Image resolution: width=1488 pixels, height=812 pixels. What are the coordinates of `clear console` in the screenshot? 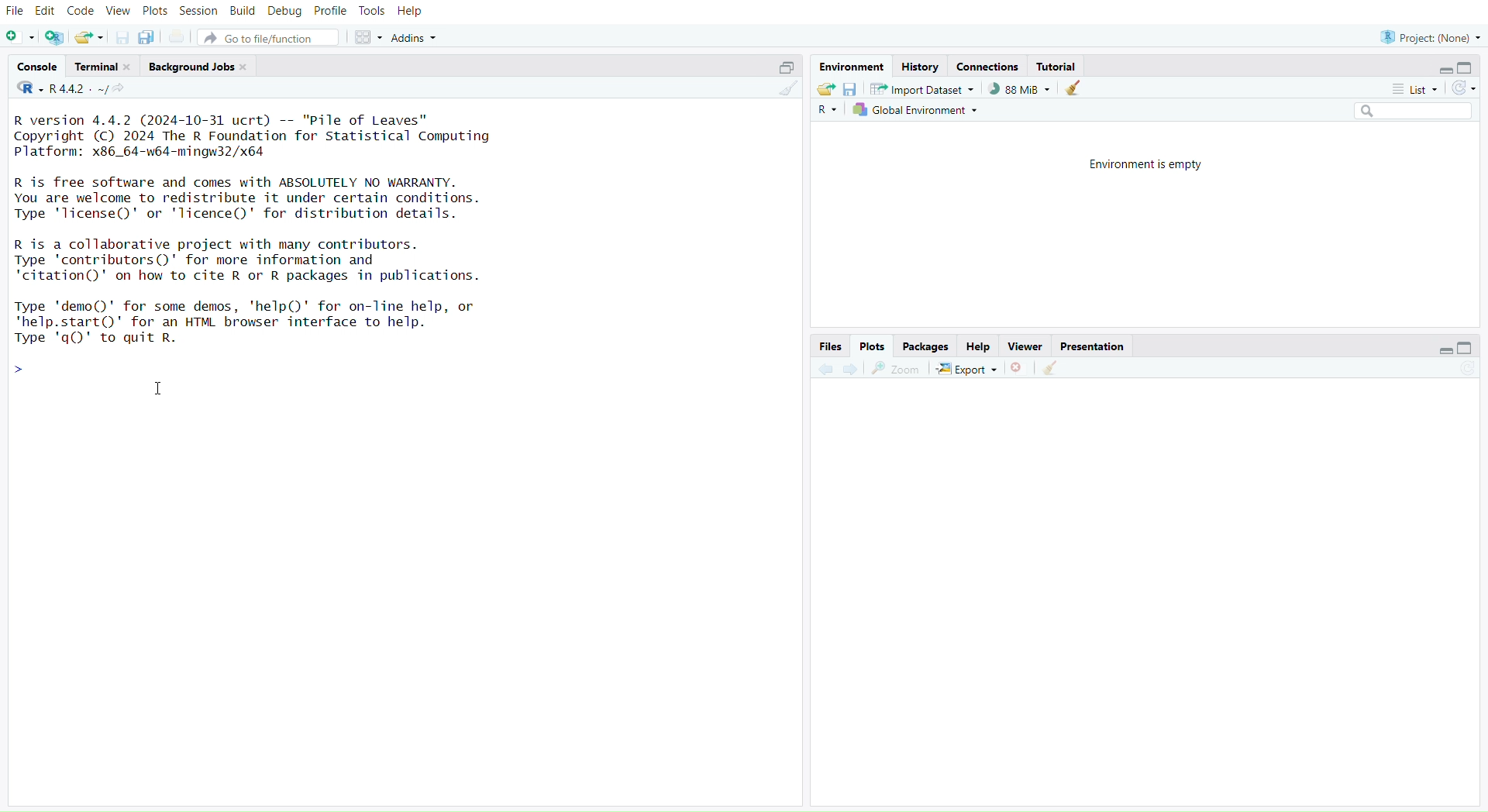 It's located at (787, 89).